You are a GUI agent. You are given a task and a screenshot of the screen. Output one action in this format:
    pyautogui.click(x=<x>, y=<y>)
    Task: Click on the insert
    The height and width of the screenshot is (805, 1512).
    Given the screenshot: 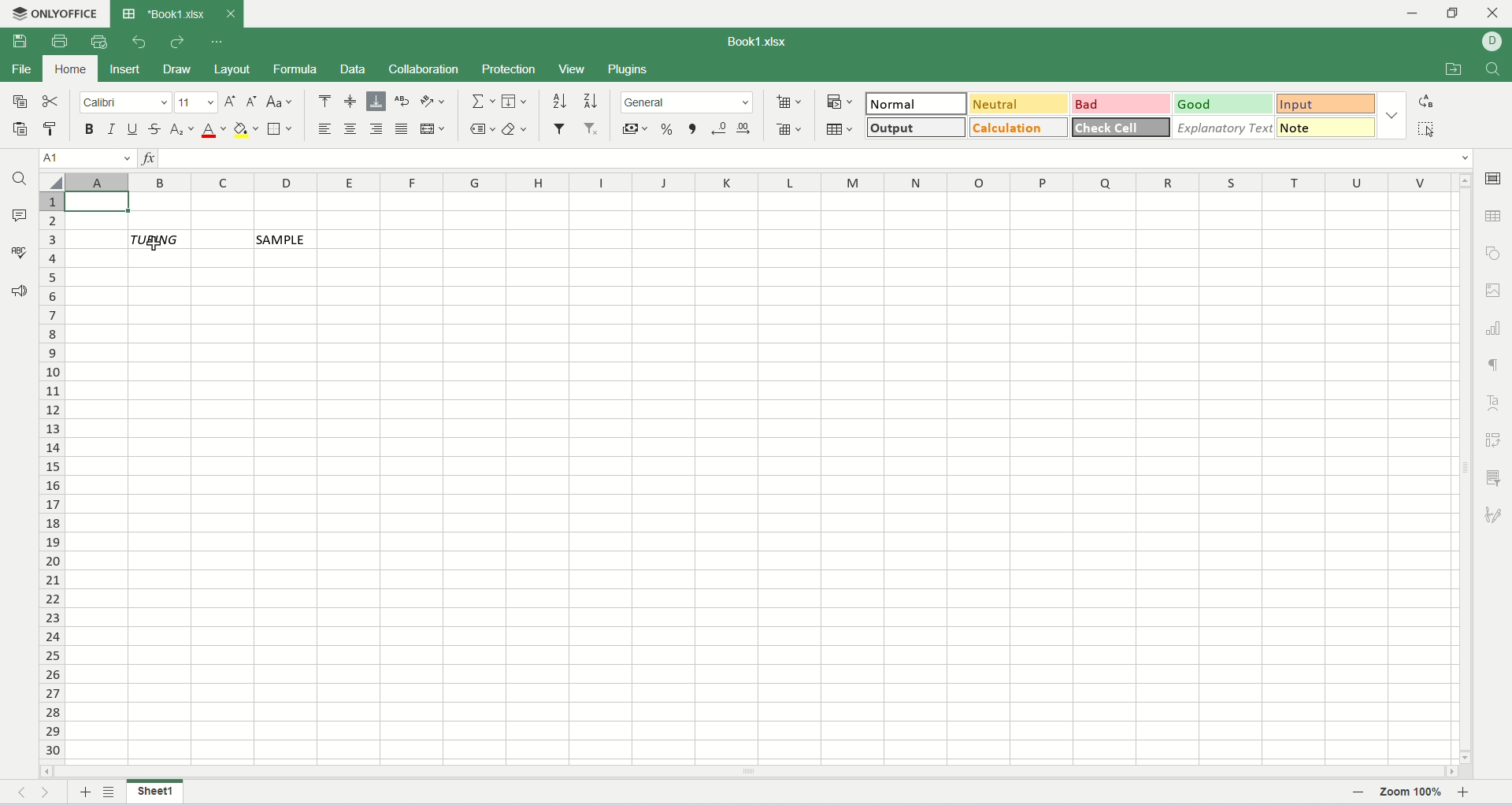 What is the action you would take?
    pyautogui.click(x=124, y=69)
    